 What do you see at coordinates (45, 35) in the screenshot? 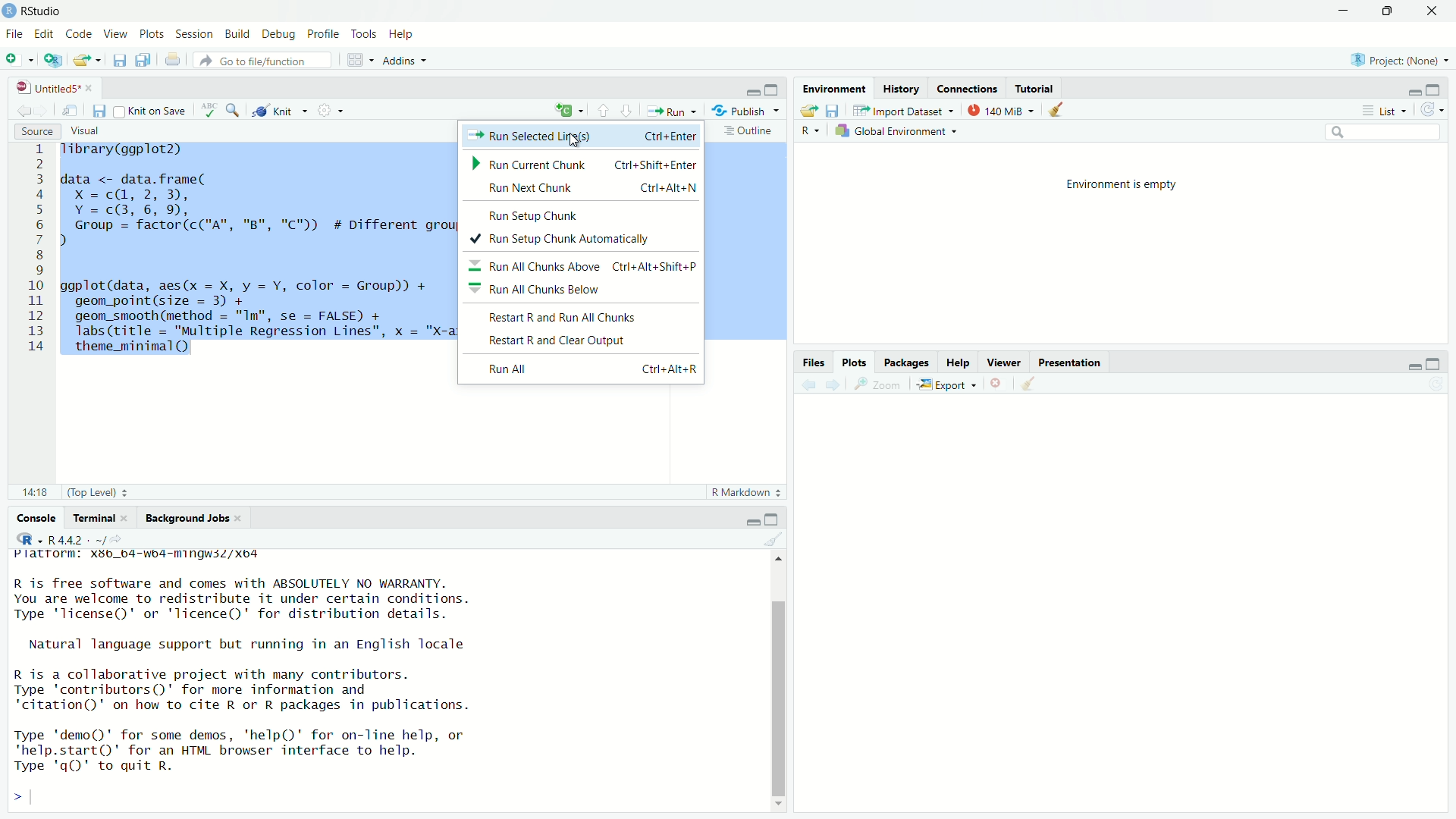
I see `Edit` at bounding box center [45, 35].